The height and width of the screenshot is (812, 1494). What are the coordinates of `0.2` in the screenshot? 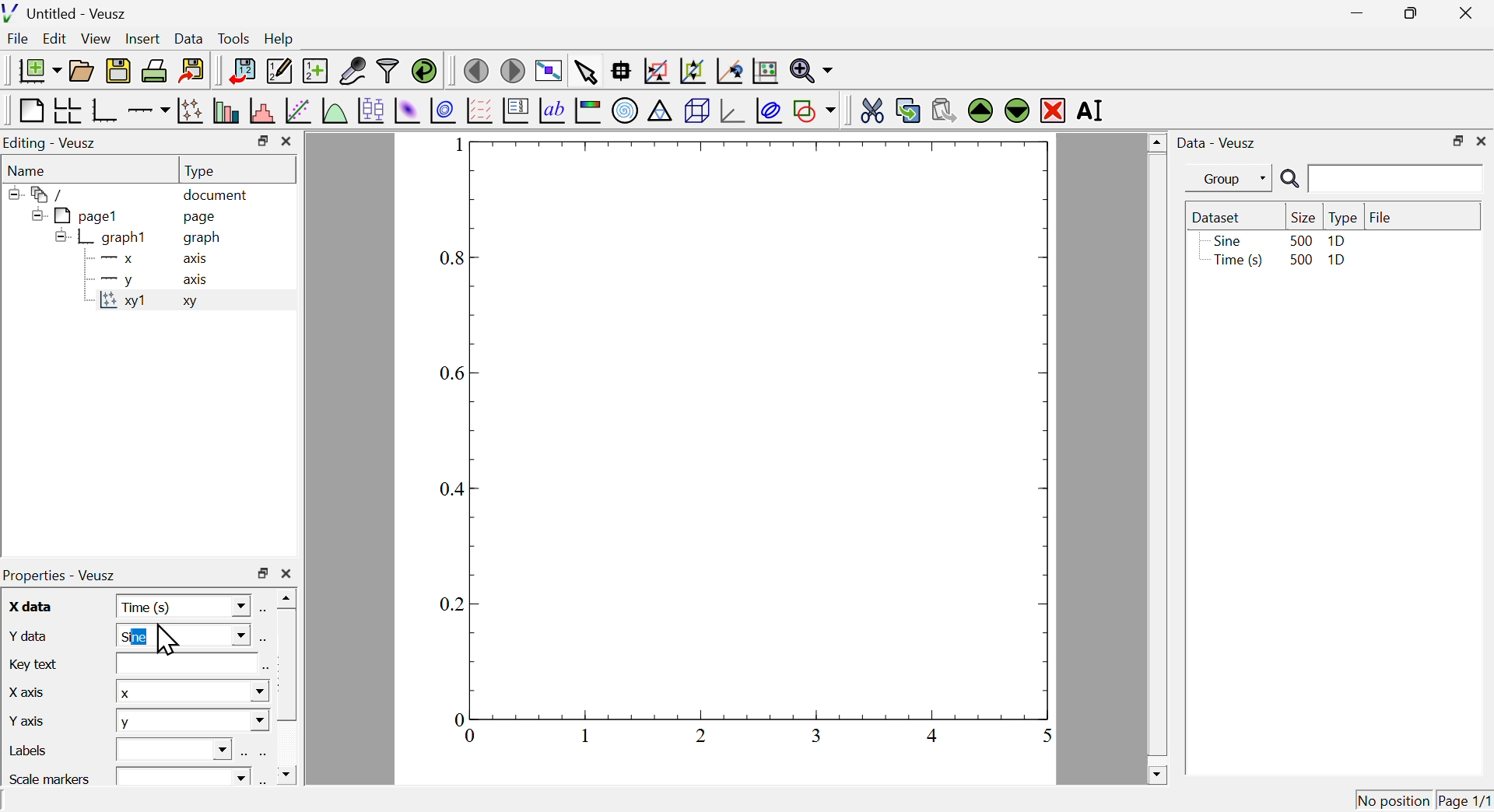 It's located at (452, 604).